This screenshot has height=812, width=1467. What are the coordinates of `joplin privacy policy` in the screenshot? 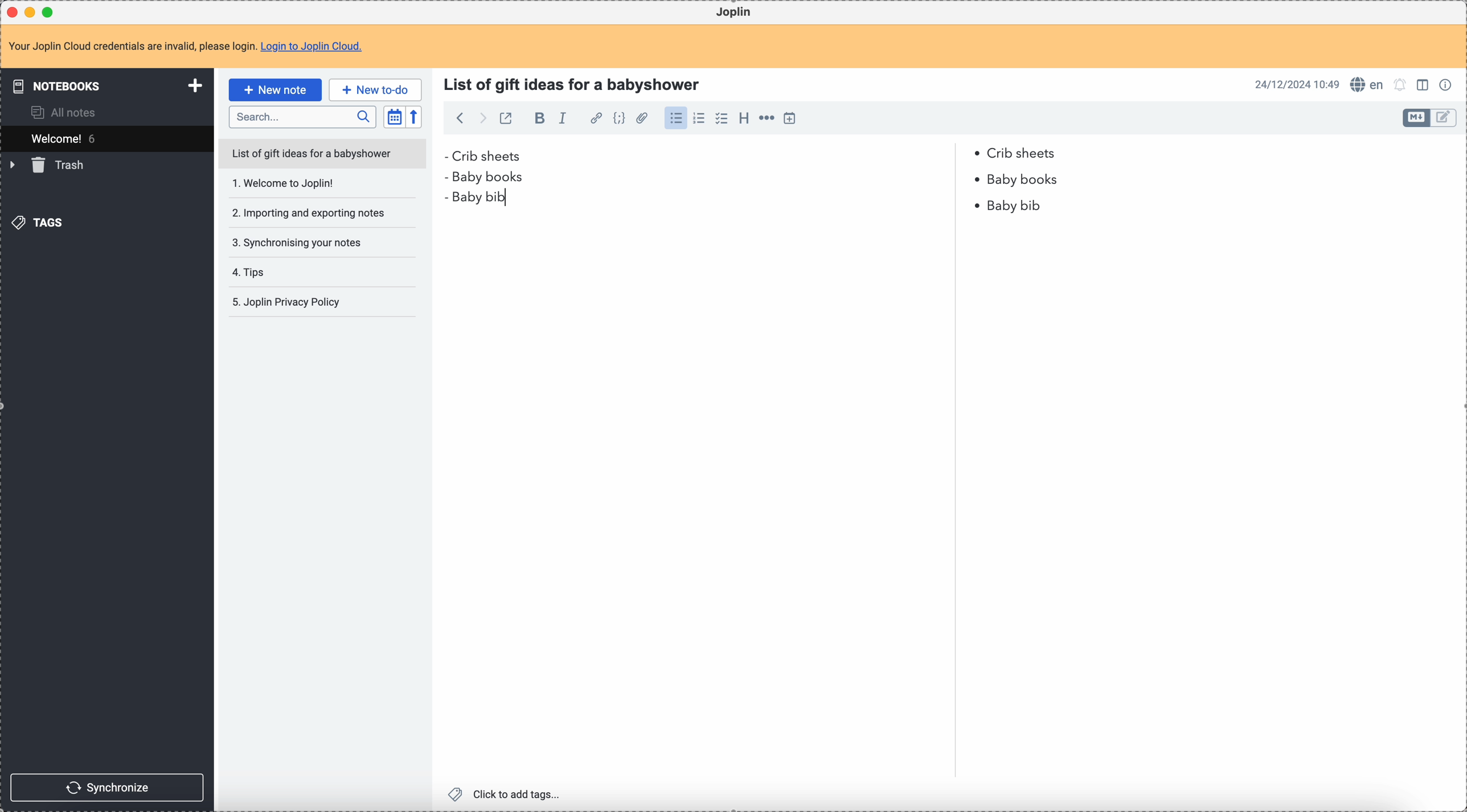 It's located at (290, 304).